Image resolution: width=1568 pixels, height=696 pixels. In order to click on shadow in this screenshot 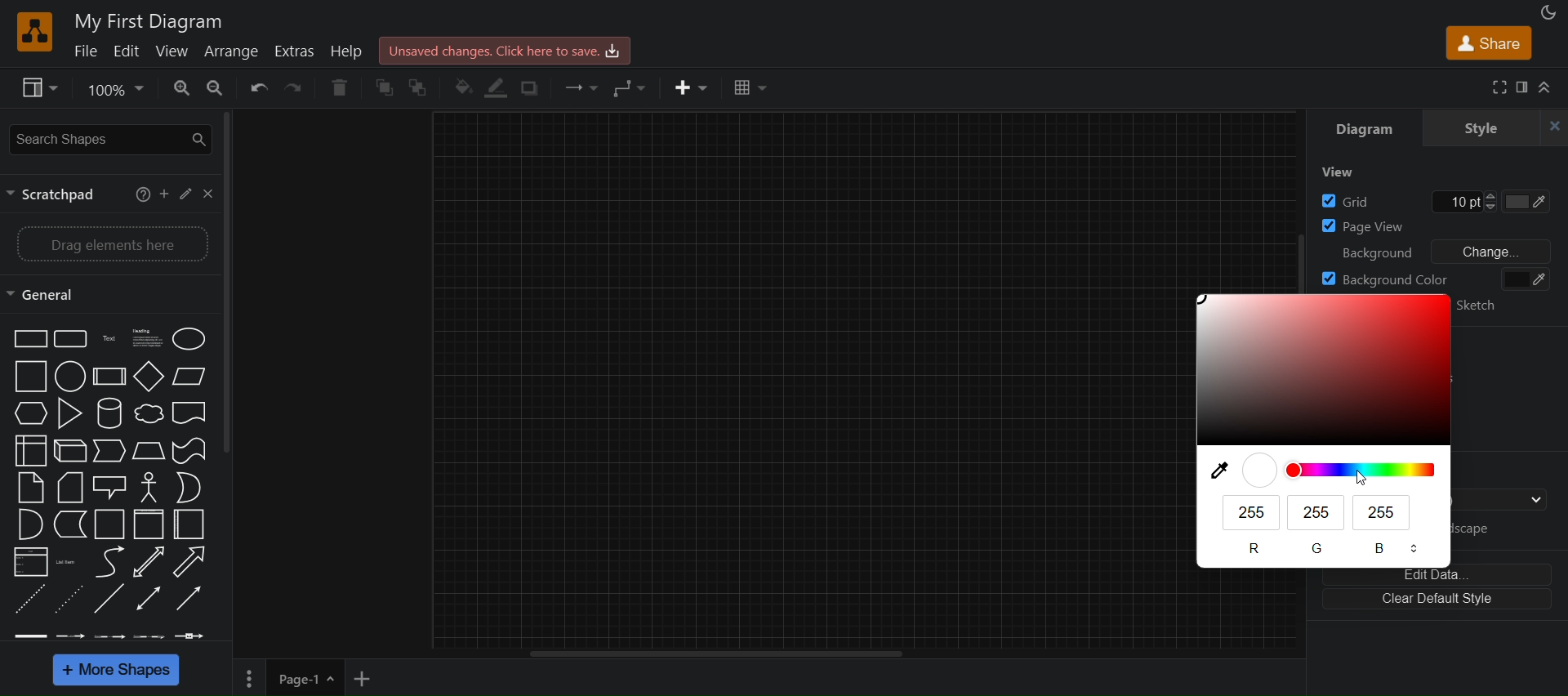, I will do `click(535, 90)`.